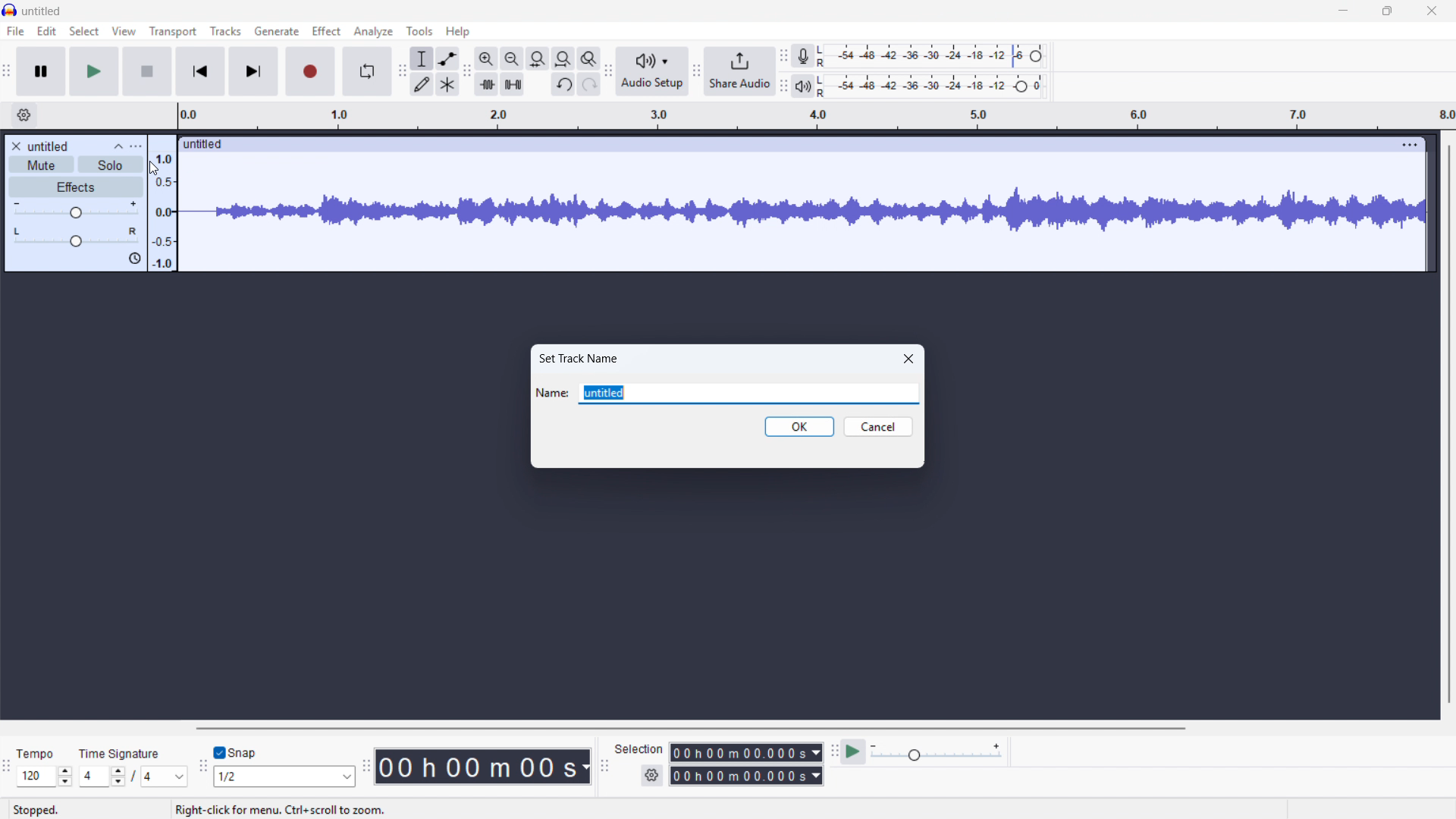  Describe the element at coordinates (42, 12) in the screenshot. I see `untitled` at that location.